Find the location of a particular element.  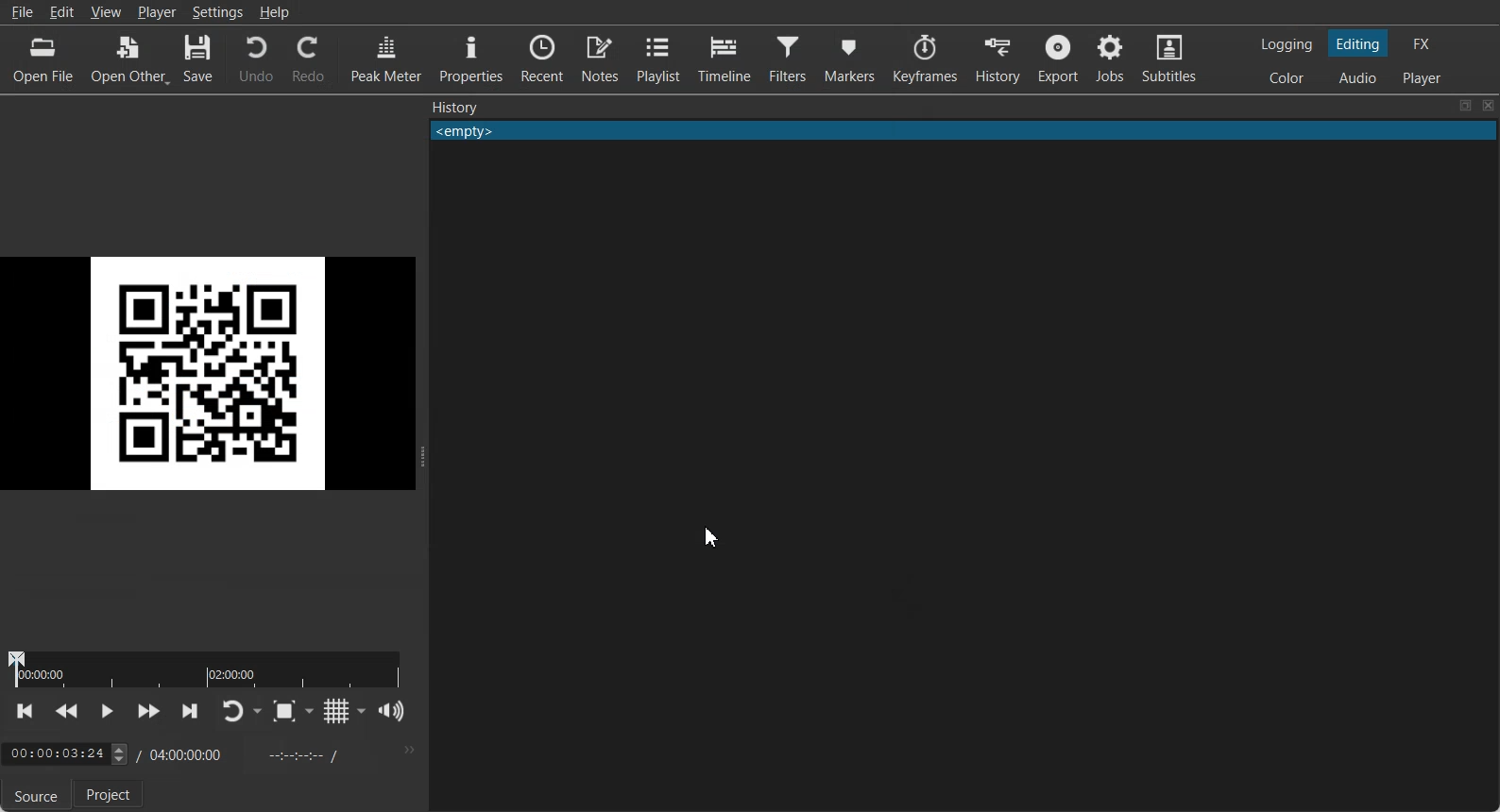

Save is located at coordinates (198, 58).